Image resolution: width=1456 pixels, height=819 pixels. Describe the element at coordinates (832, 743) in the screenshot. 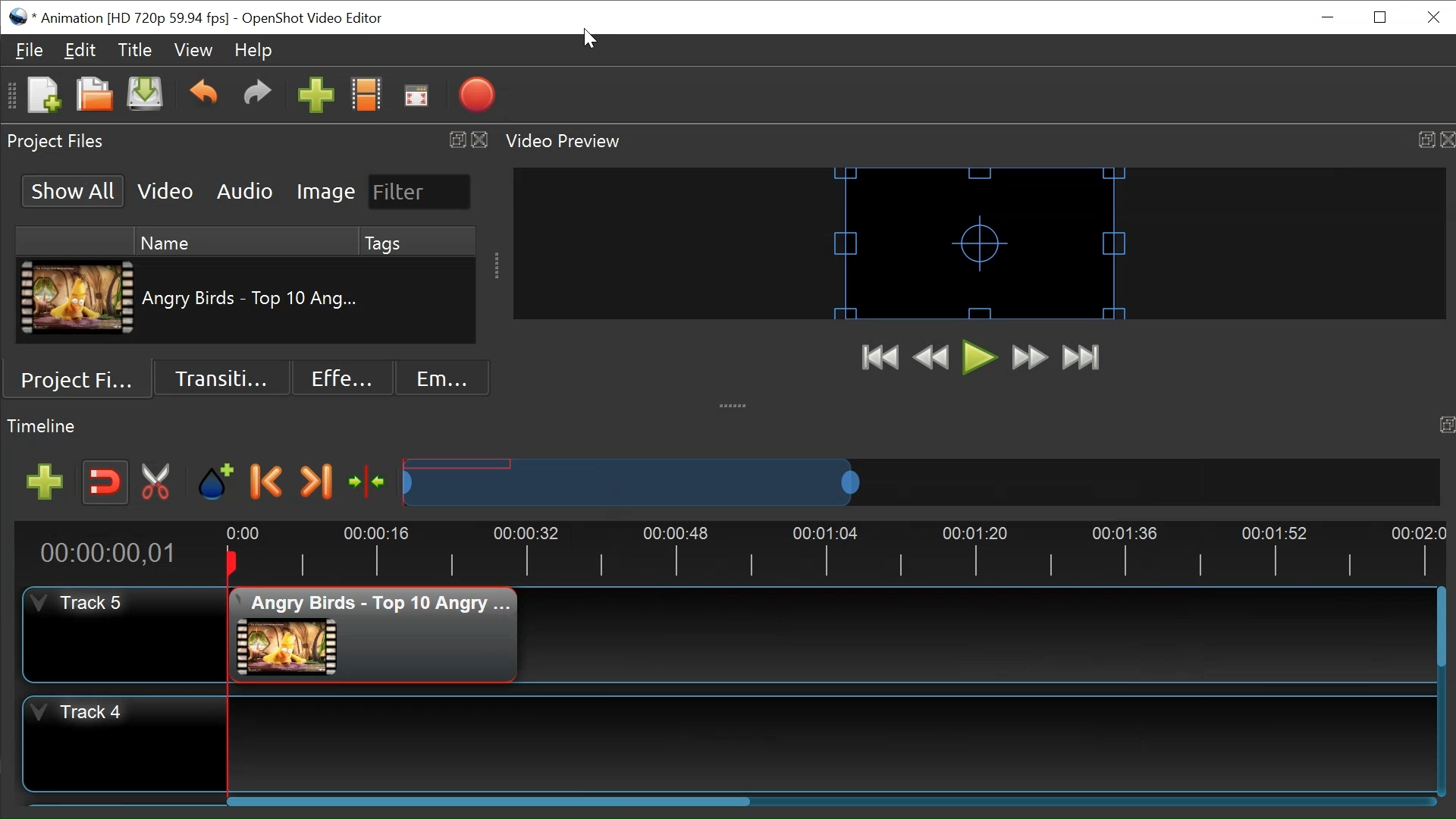

I see `Track Panel` at that location.